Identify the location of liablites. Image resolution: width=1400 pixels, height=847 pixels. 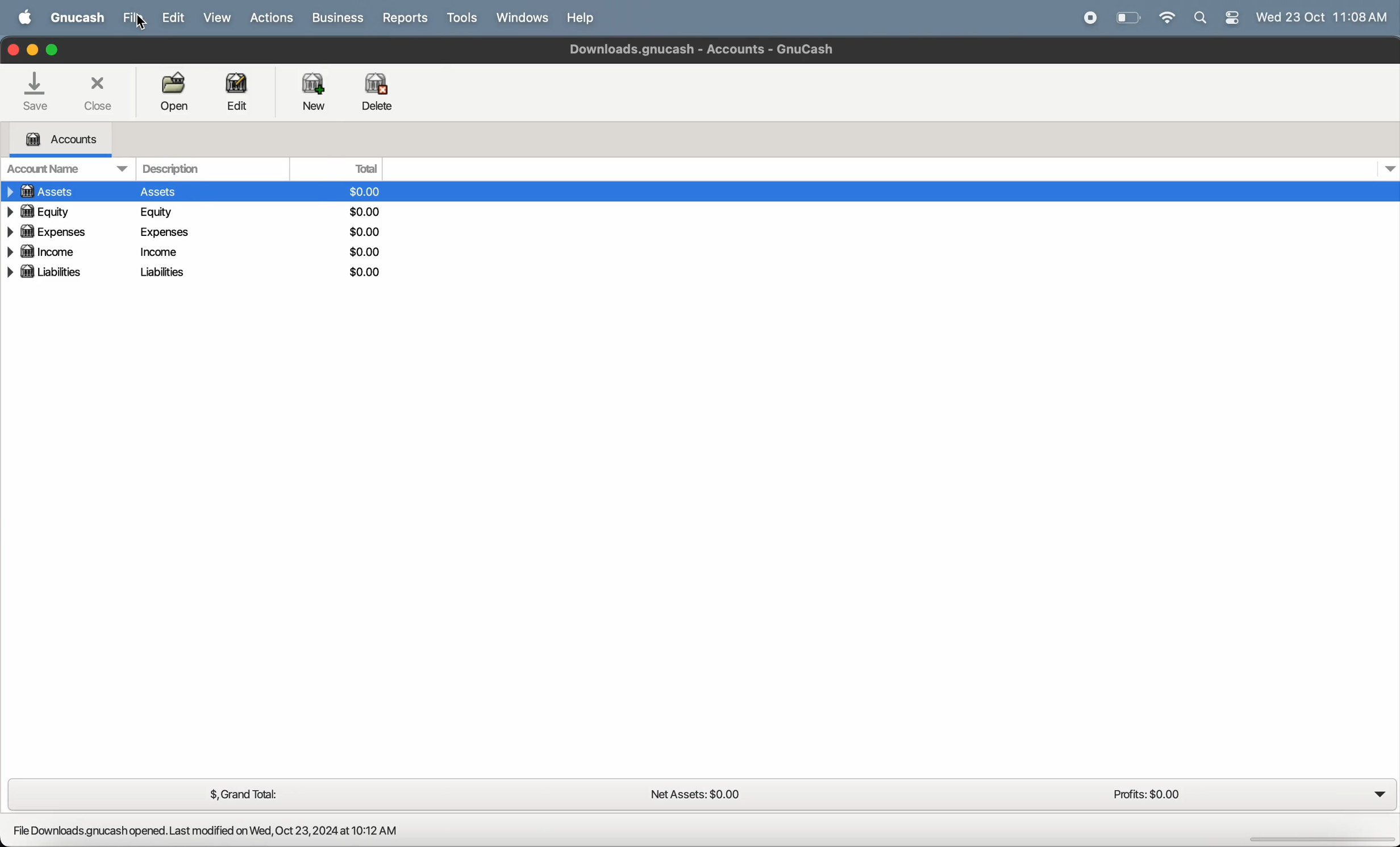
(168, 275).